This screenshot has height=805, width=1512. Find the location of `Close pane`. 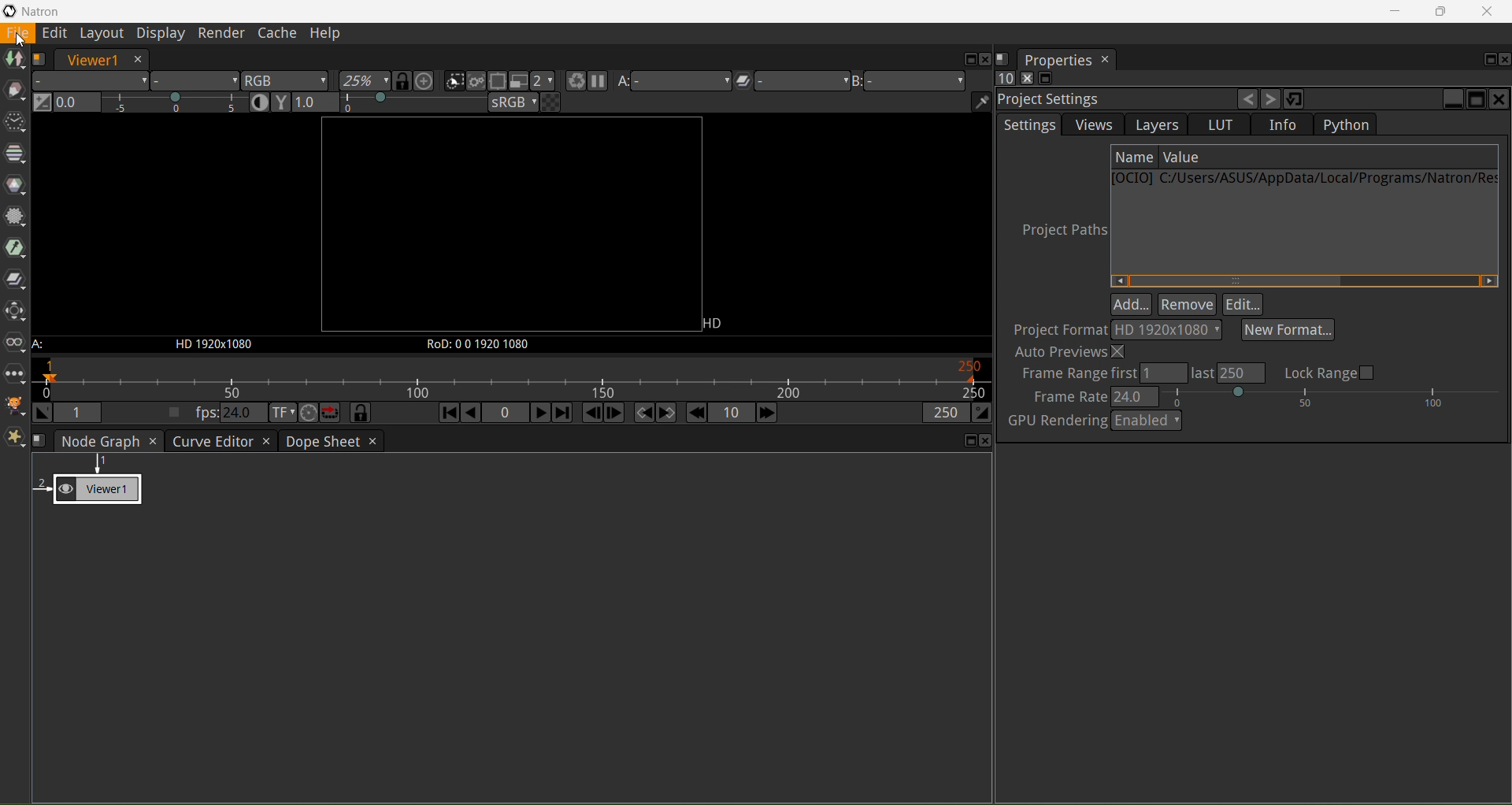

Close pane is located at coordinates (984, 61).